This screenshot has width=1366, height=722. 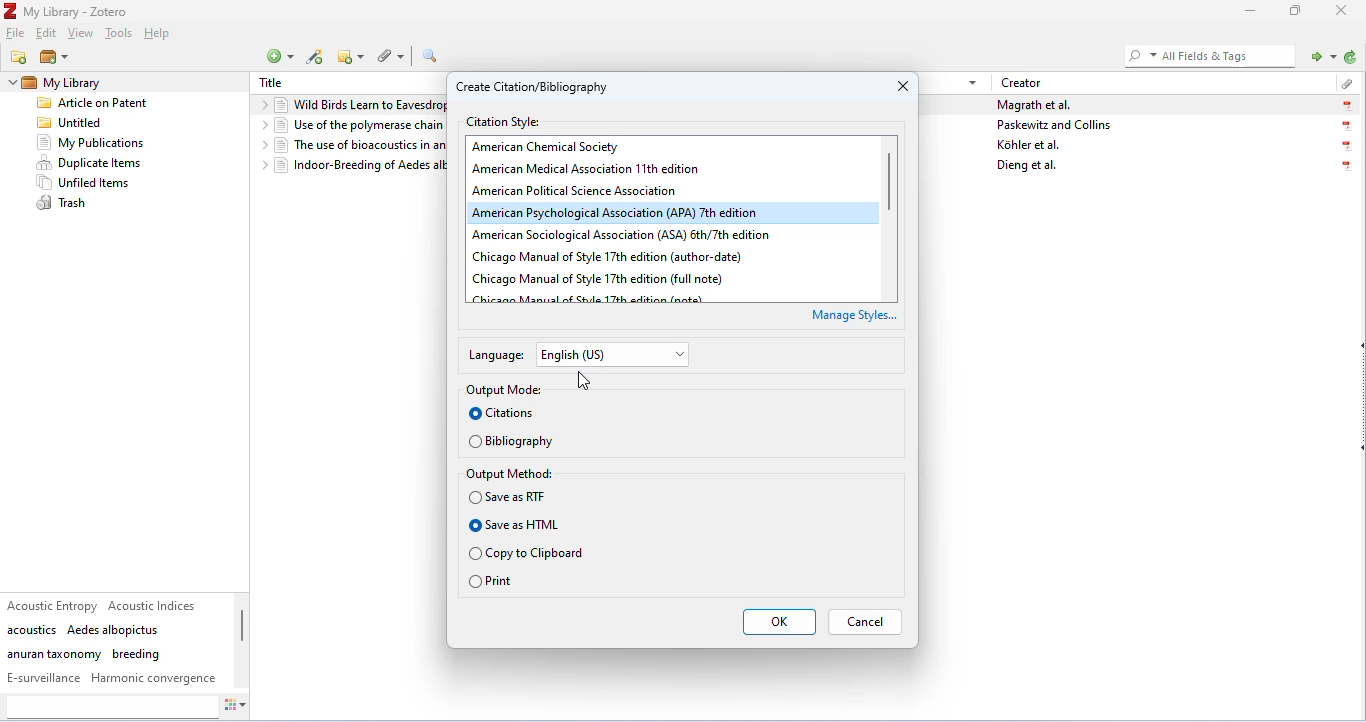 I want to click on view, so click(x=83, y=35).